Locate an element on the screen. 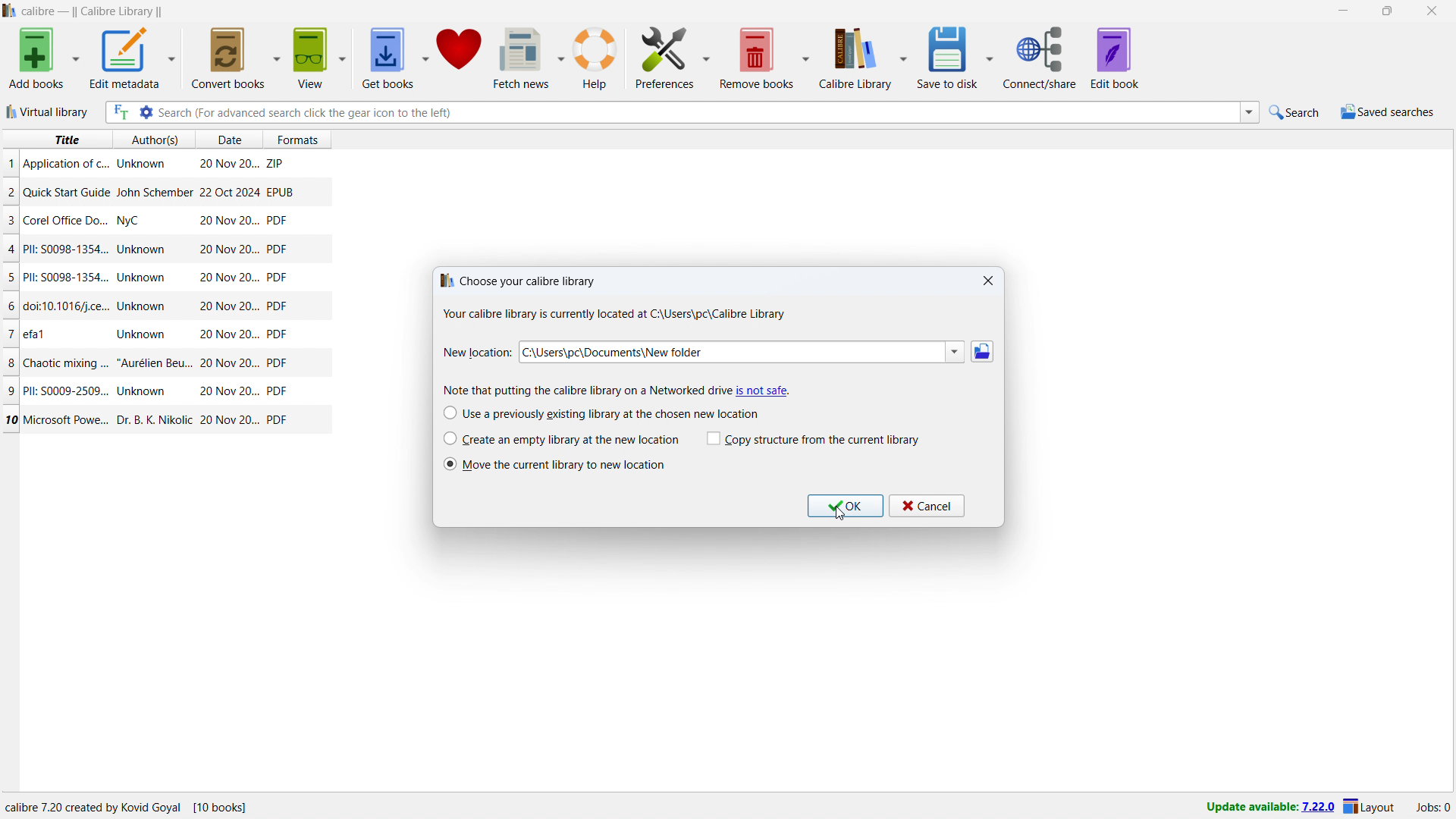 The width and height of the screenshot is (1456, 819). layout is located at coordinates (1370, 808).